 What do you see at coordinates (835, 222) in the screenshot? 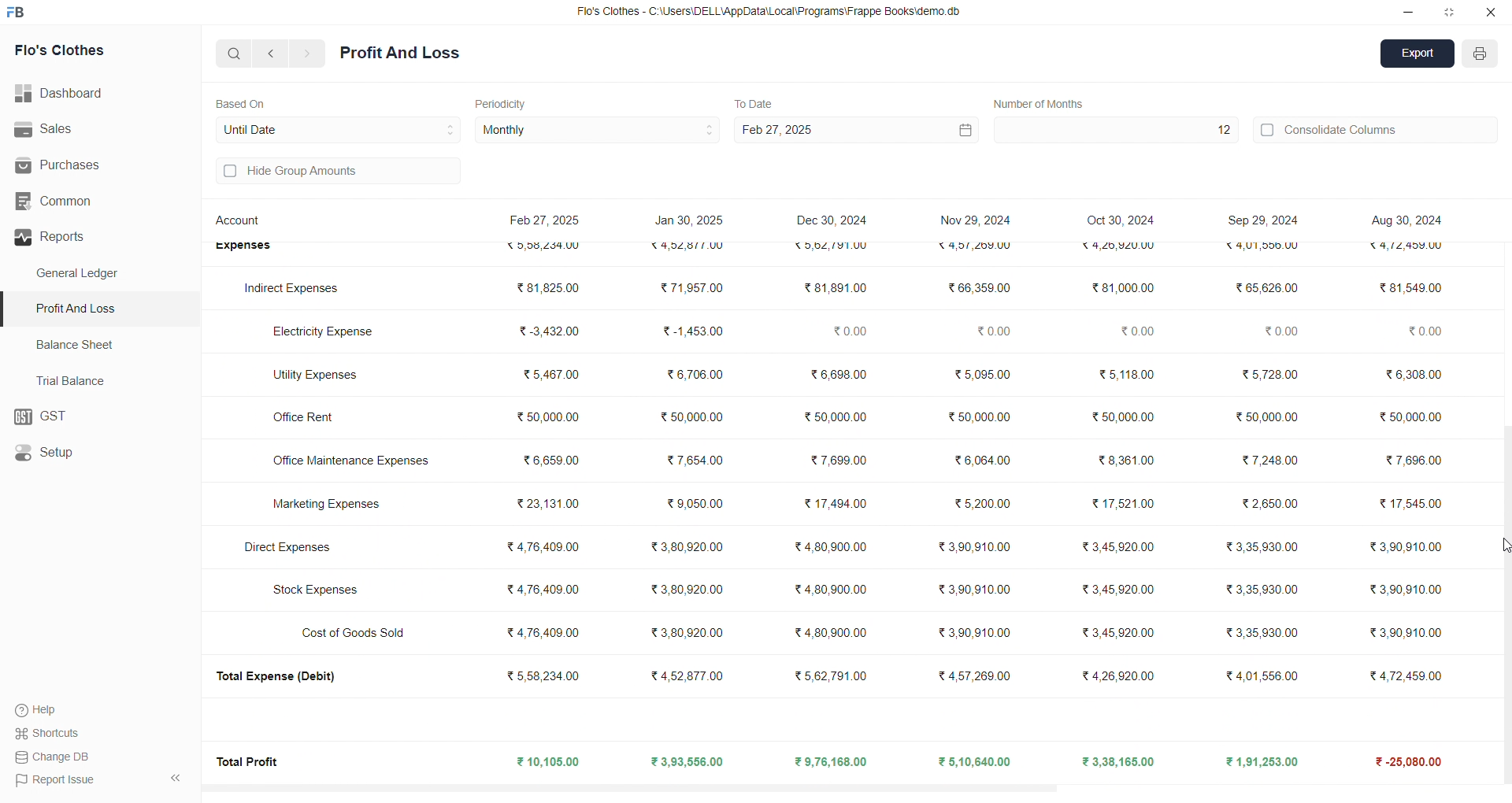
I see `Dec 30, 2024` at bounding box center [835, 222].